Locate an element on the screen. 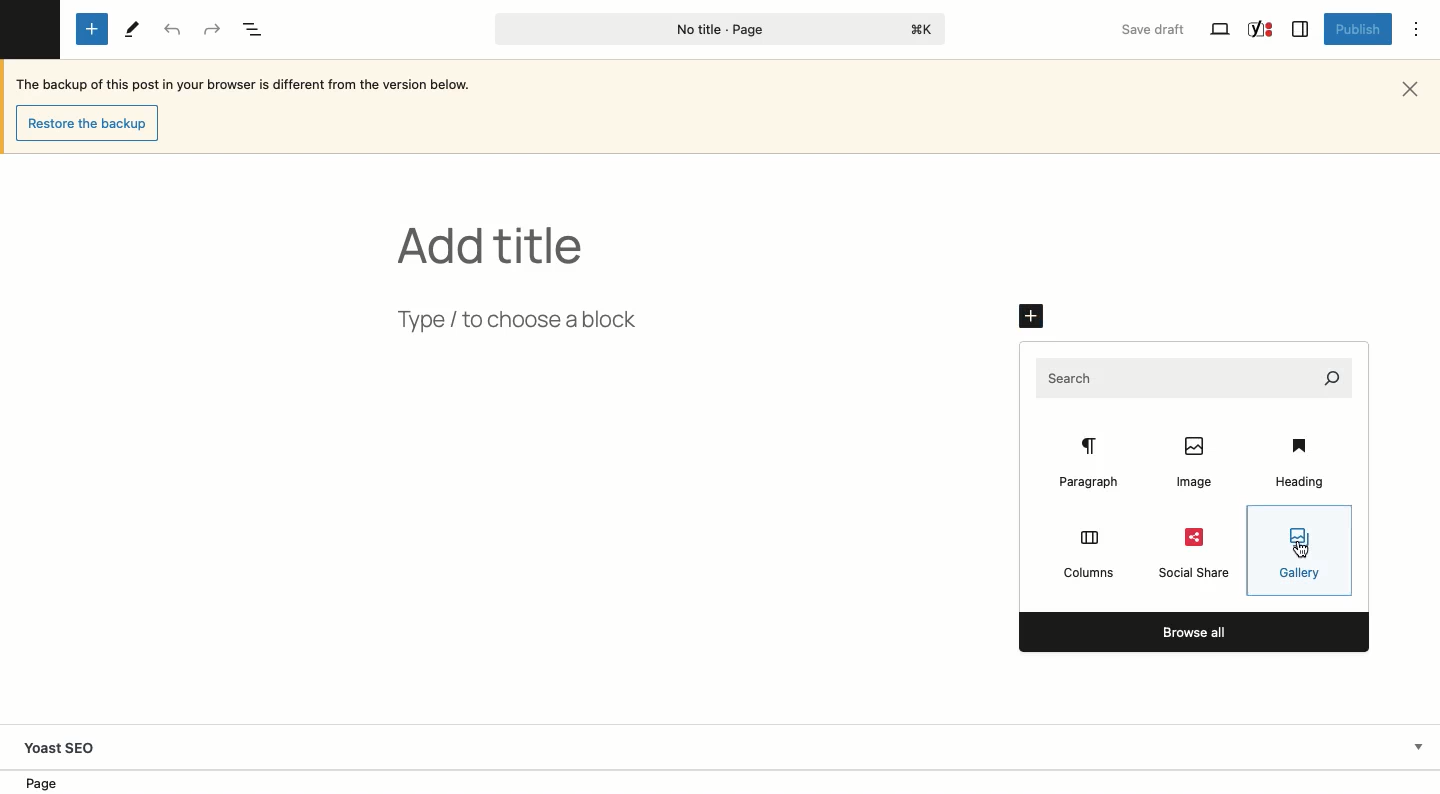  Sidebar is located at coordinates (1299, 30).